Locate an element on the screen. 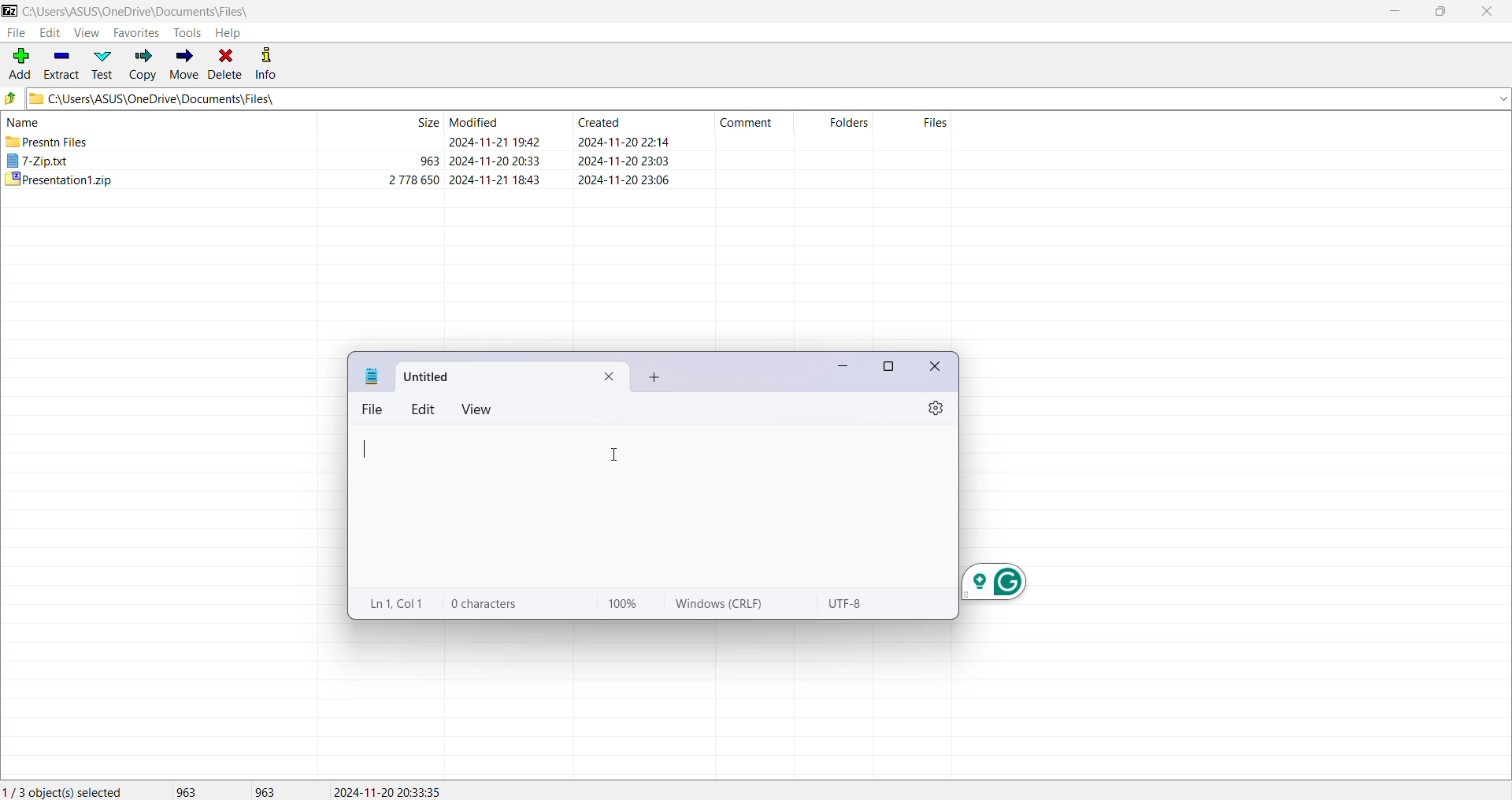 The width and height of the screenshot is (1512, 800). folders is located at coordinates (850, 122).